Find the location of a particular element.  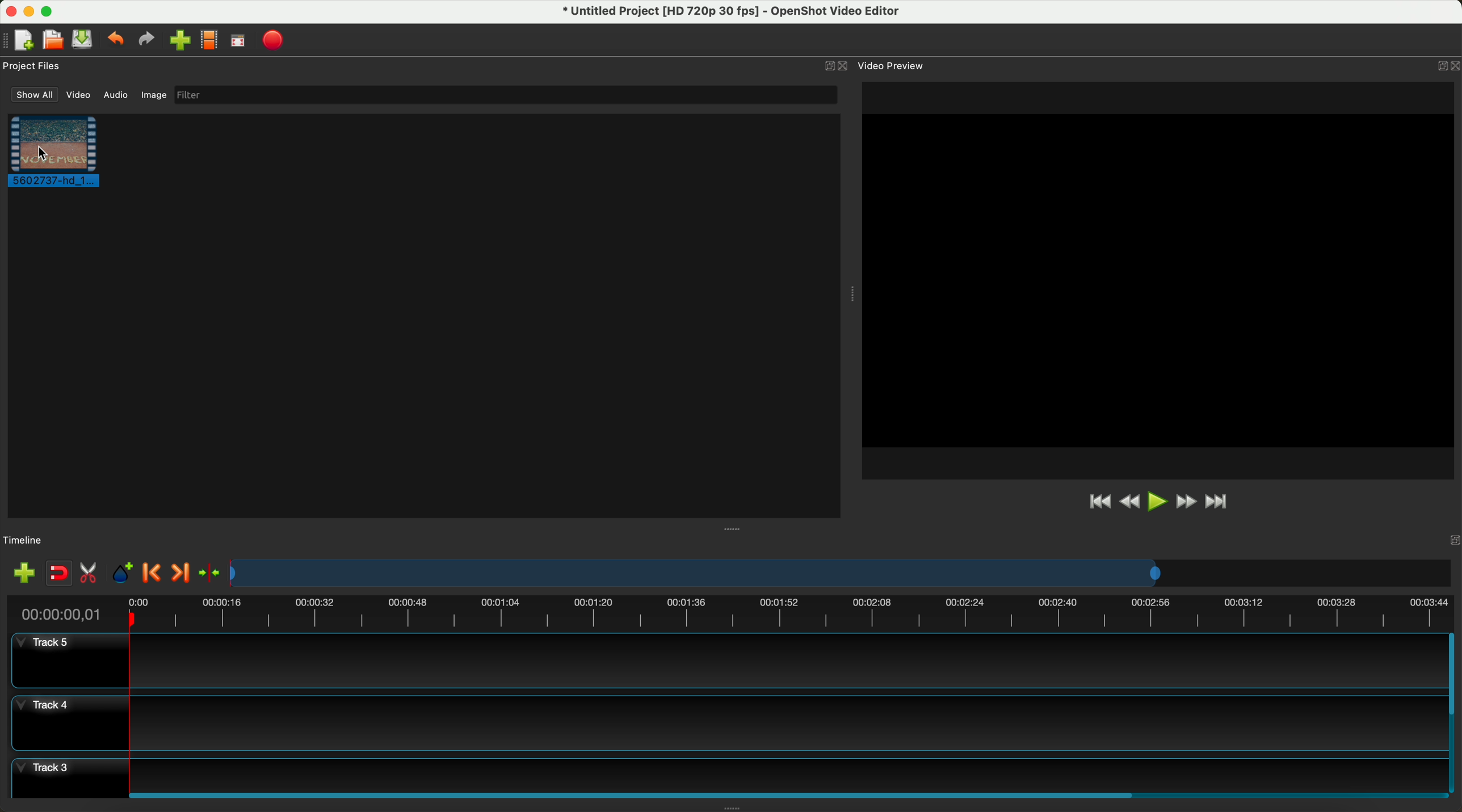

video is located at coordinates (78, 96).